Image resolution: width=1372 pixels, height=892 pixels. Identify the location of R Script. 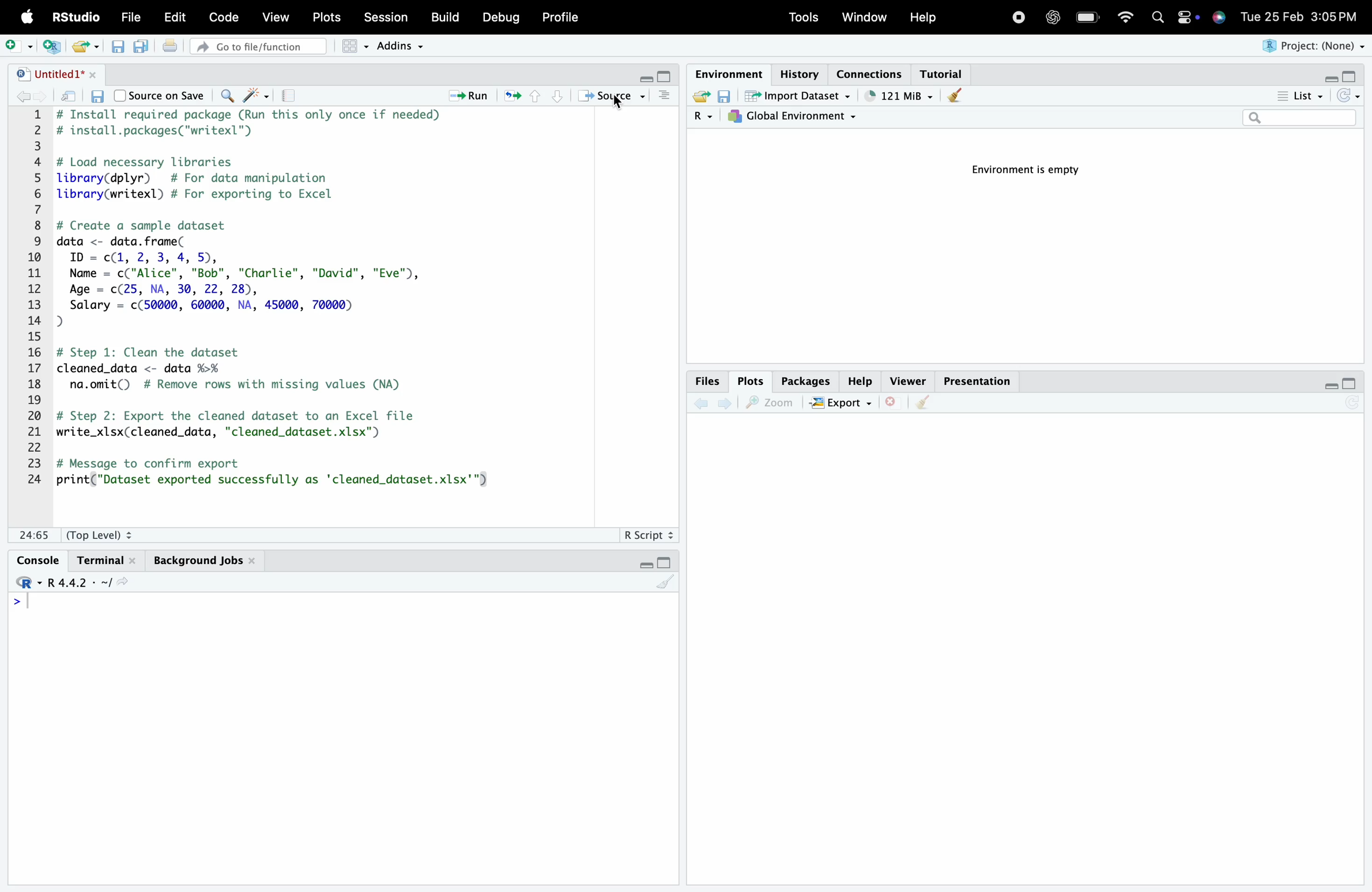
(649, 533).